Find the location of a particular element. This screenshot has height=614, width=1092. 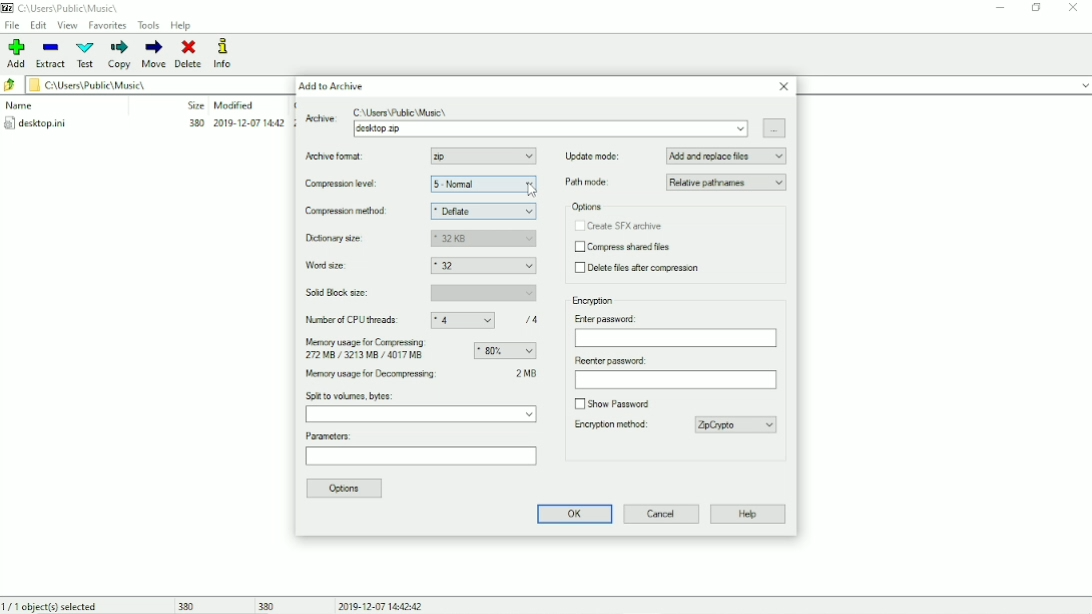

Extract is located at coordinates (51, 56).